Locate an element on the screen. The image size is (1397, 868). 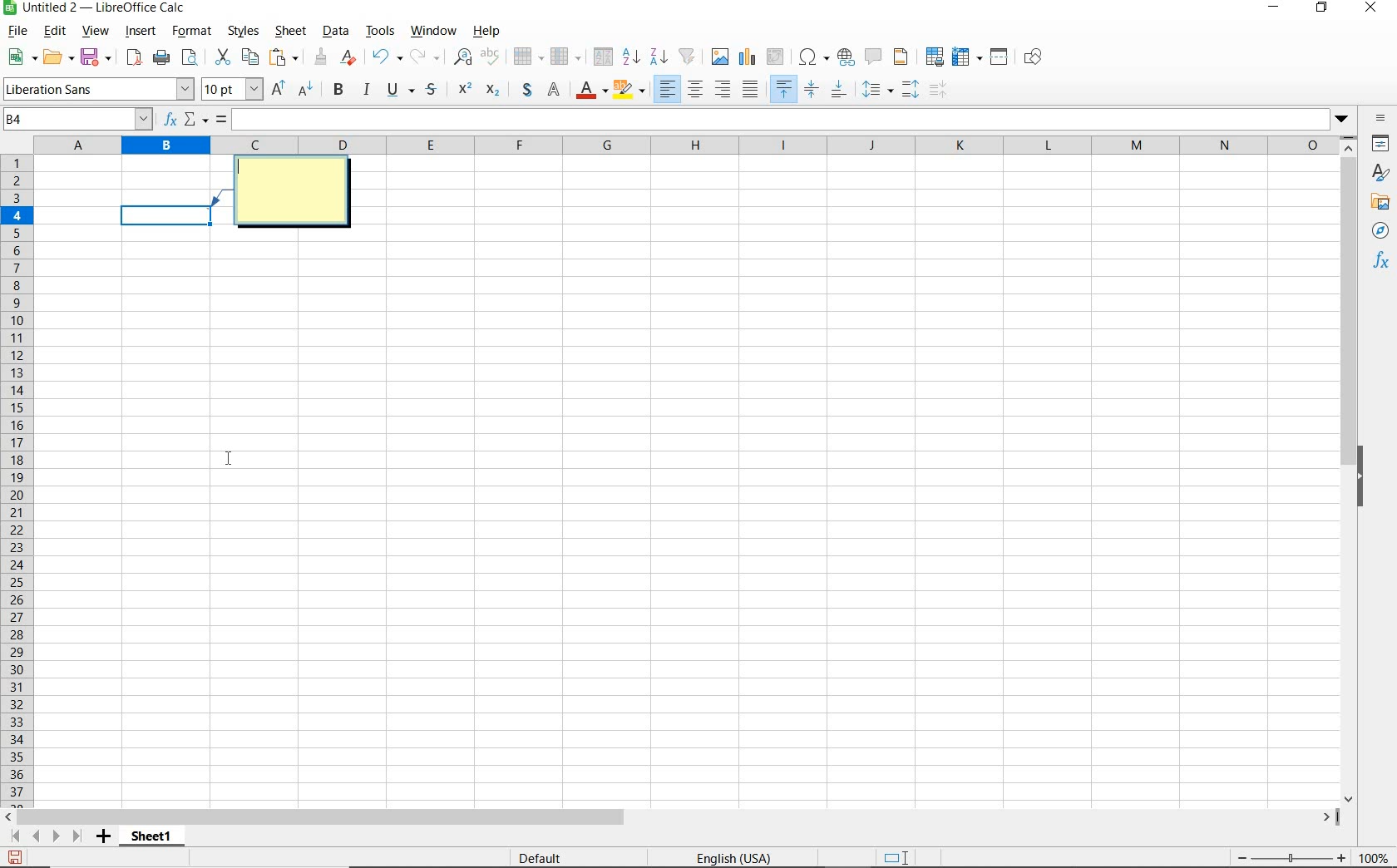
styles is located at coordinates (247, 31).